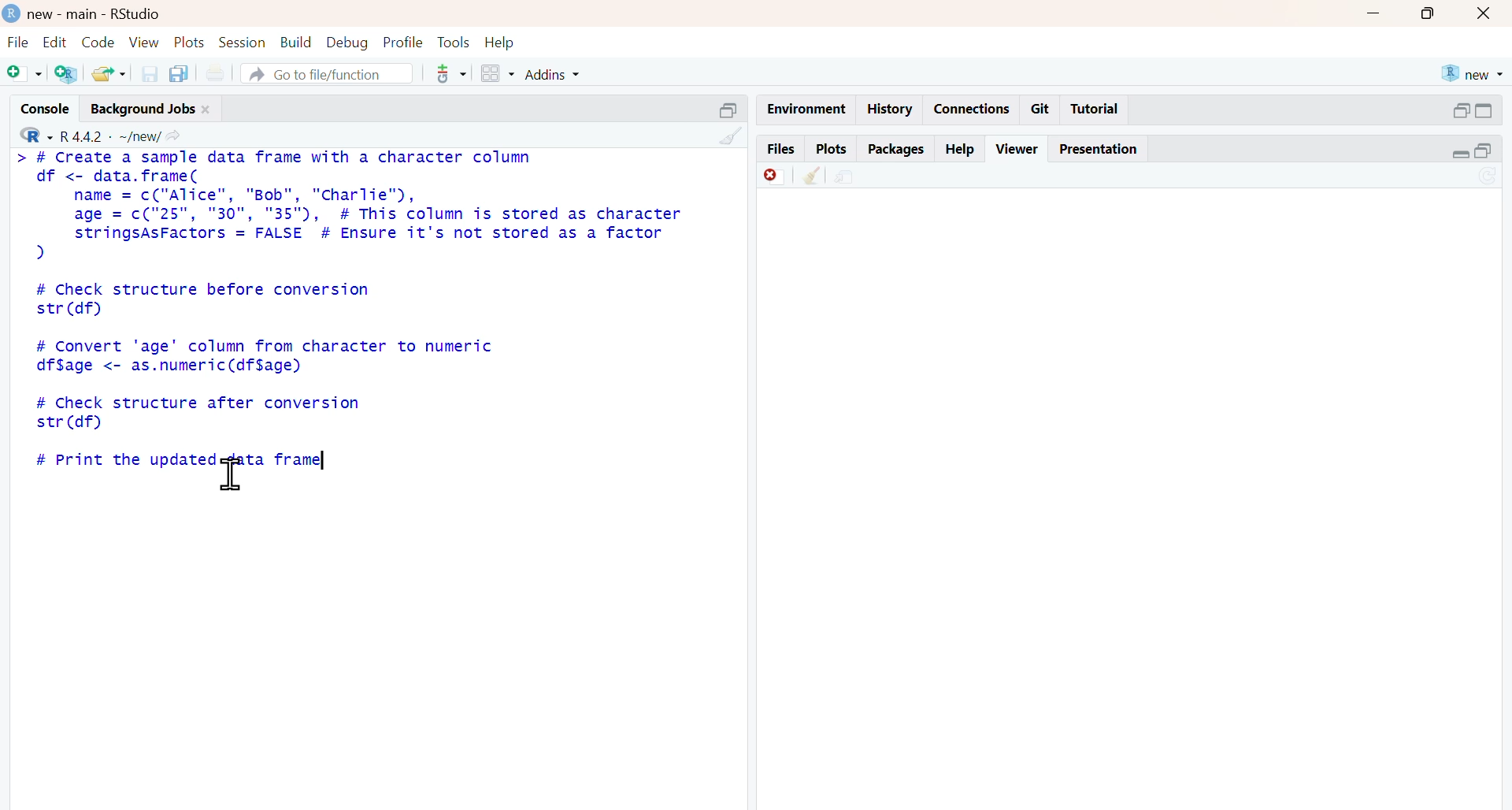  Describe the element at coordinates (297, 43) in the screenshot. I see `build` at that location.